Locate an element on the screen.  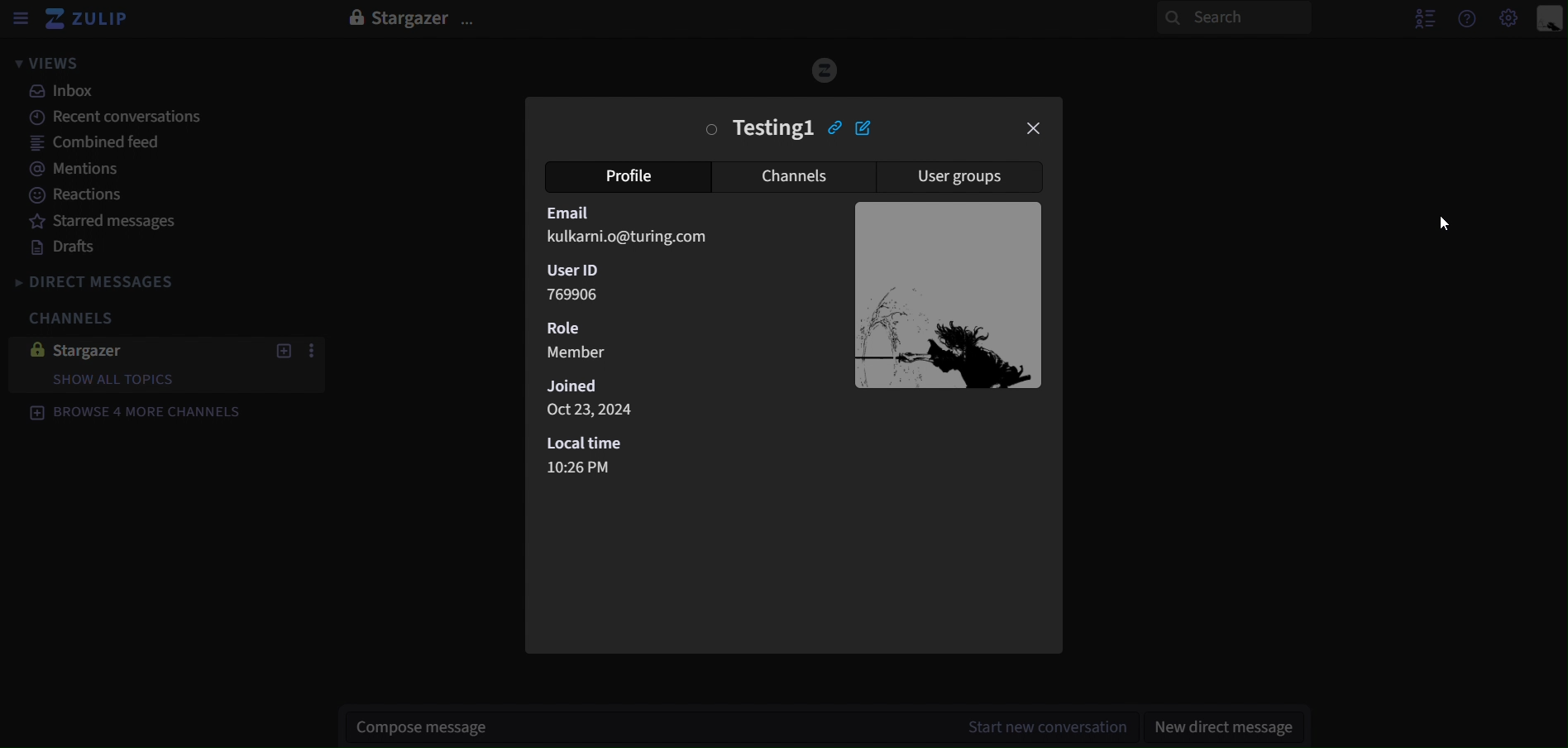
browse 4 more channels is located at coordinates (140, 414).